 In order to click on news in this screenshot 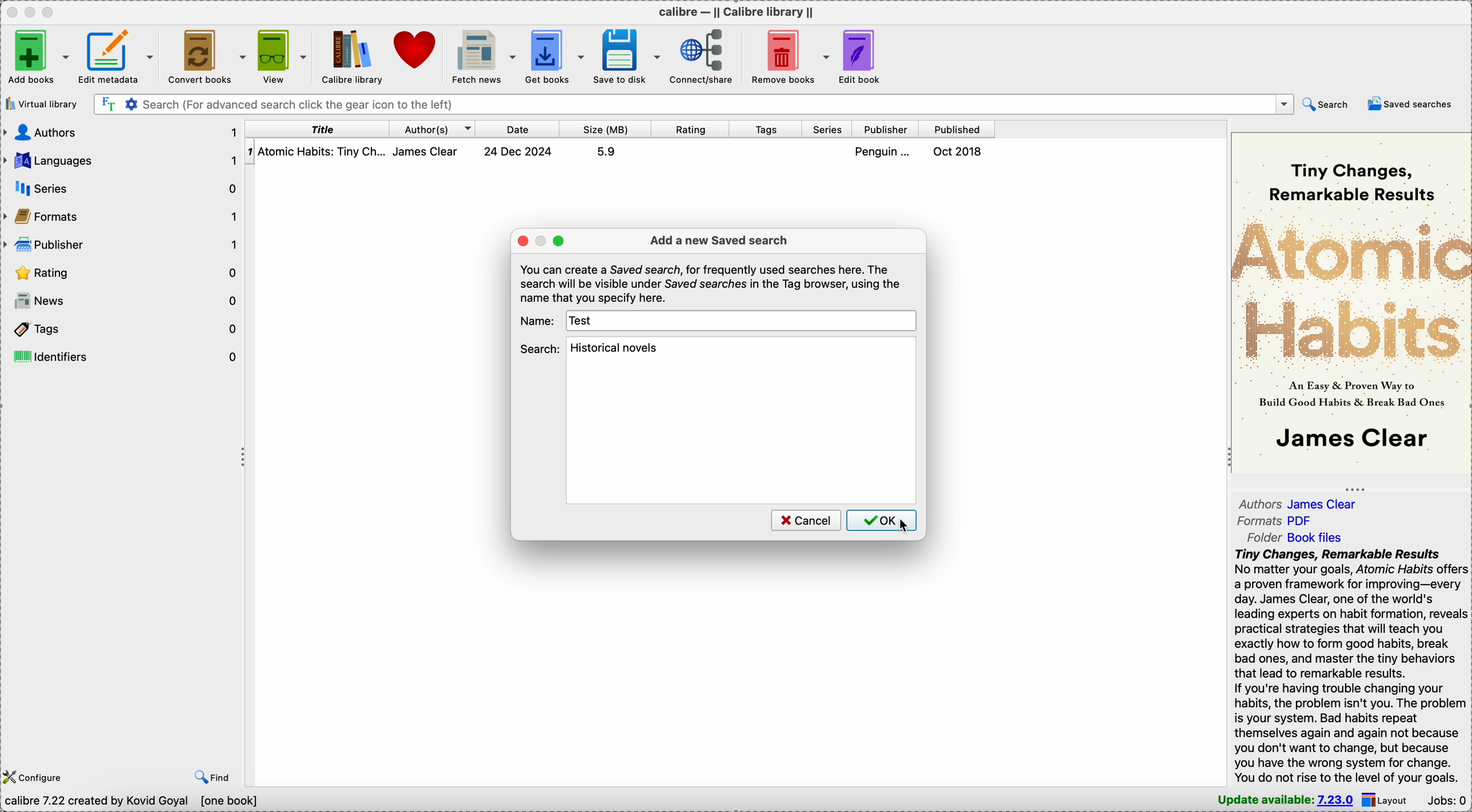, I will do `click(122, 301)`.